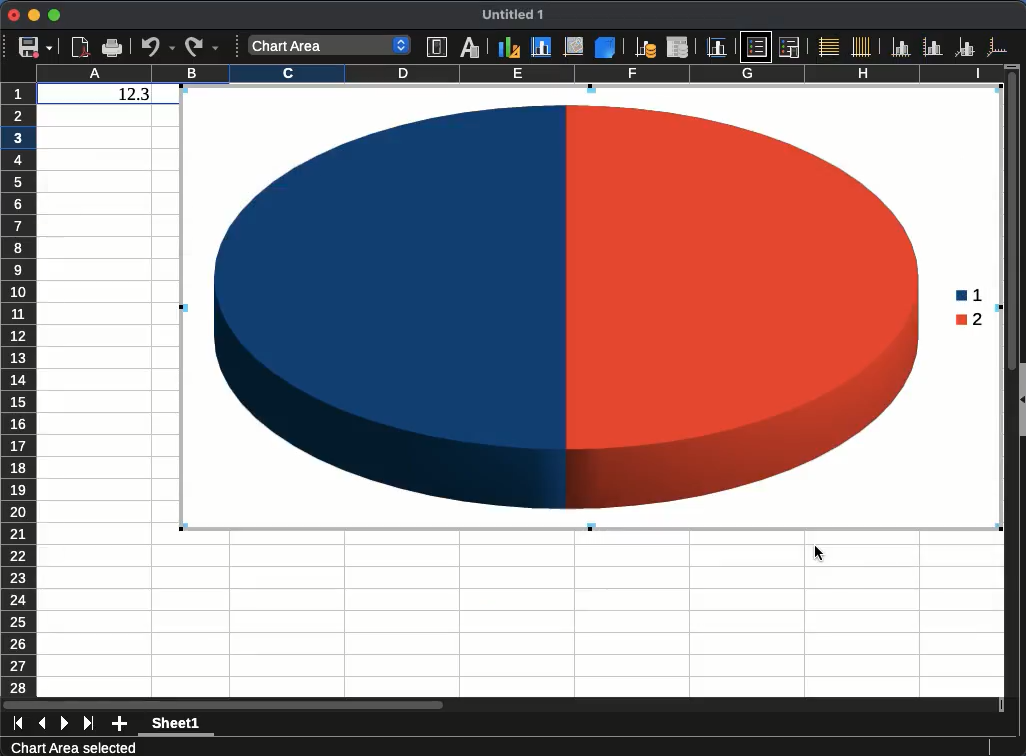  What do you see at coordinates (56, 16) in the screenshot?
I see `maximize` at bounding box center [56, 16].